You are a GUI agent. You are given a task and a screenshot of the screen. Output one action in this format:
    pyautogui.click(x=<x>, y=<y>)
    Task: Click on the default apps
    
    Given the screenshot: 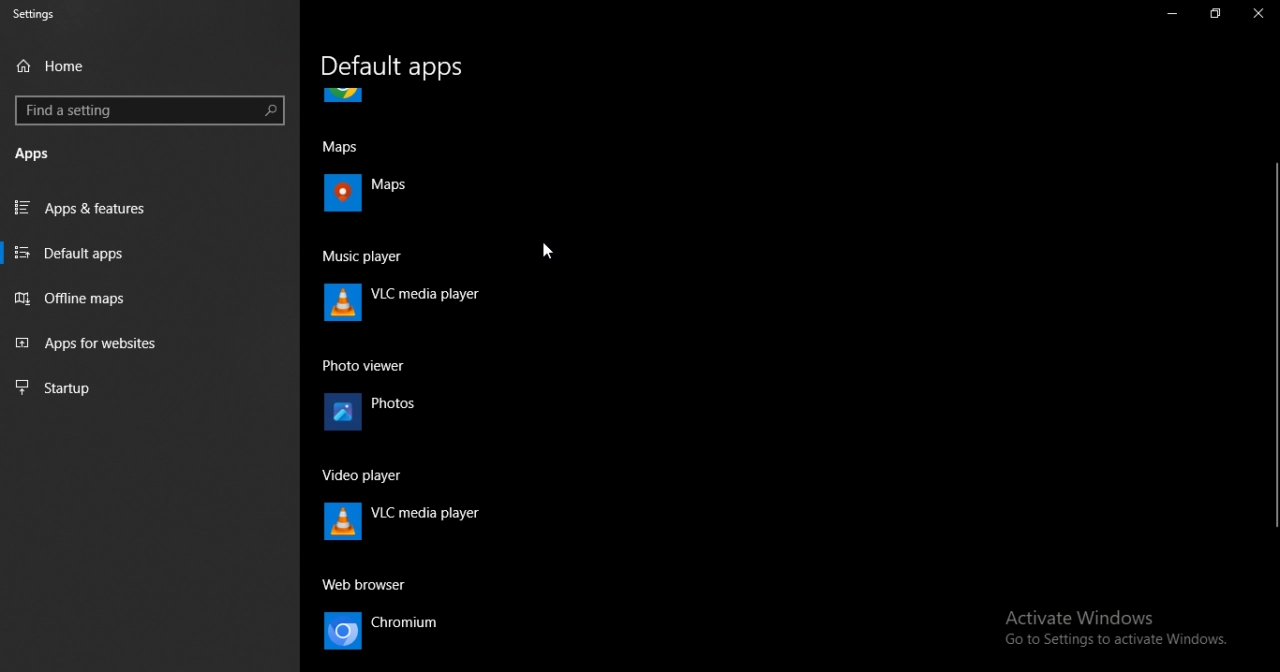 What is the action you would take?
    pyautogui.click(x=384, y=66)
    